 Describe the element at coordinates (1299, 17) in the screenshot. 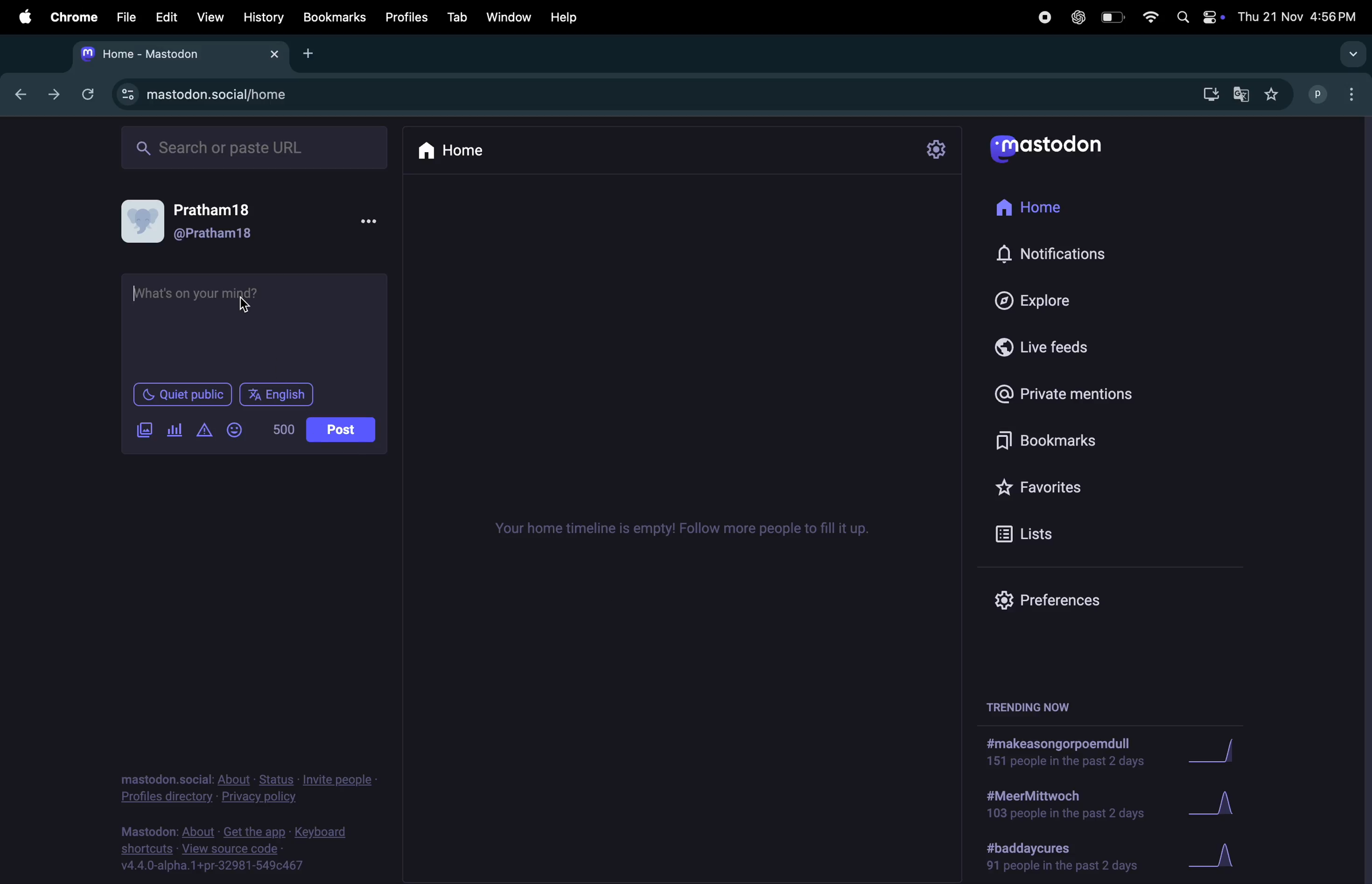

I see `date and time` at that location.